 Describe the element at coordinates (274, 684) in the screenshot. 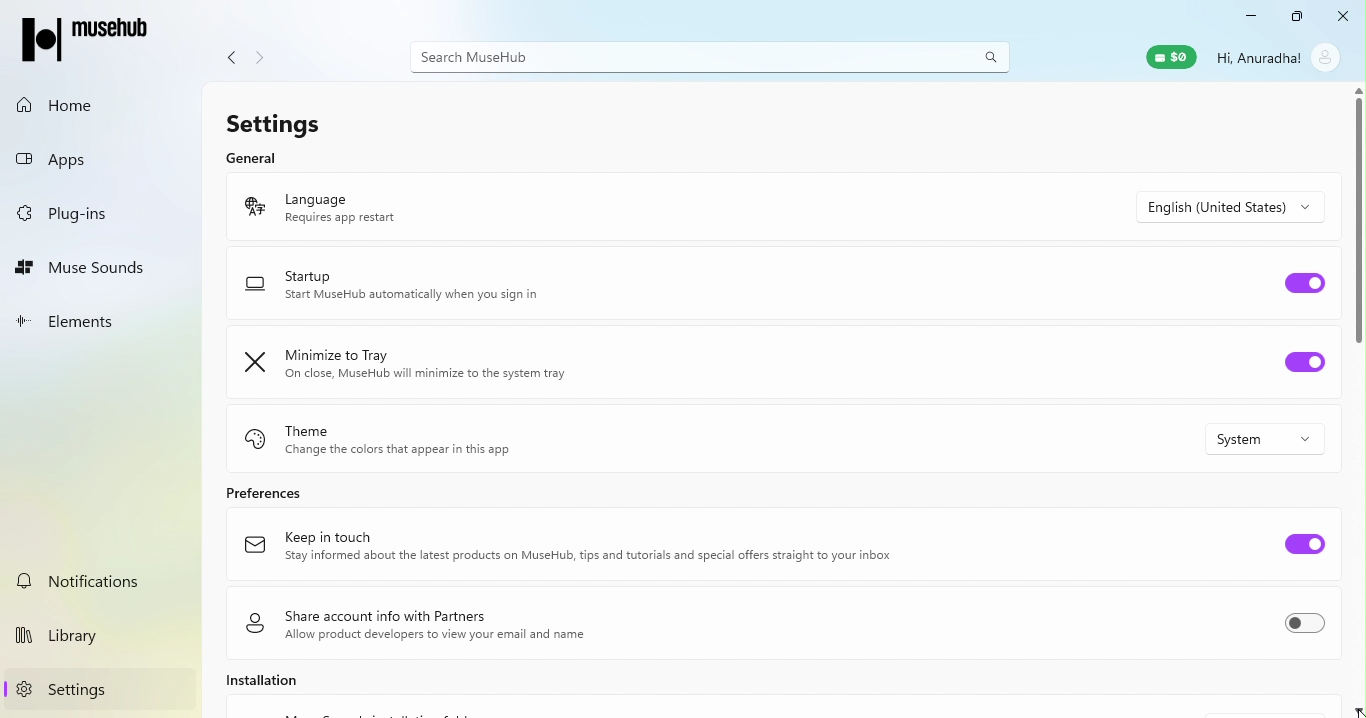

I see `Installation` at that location.